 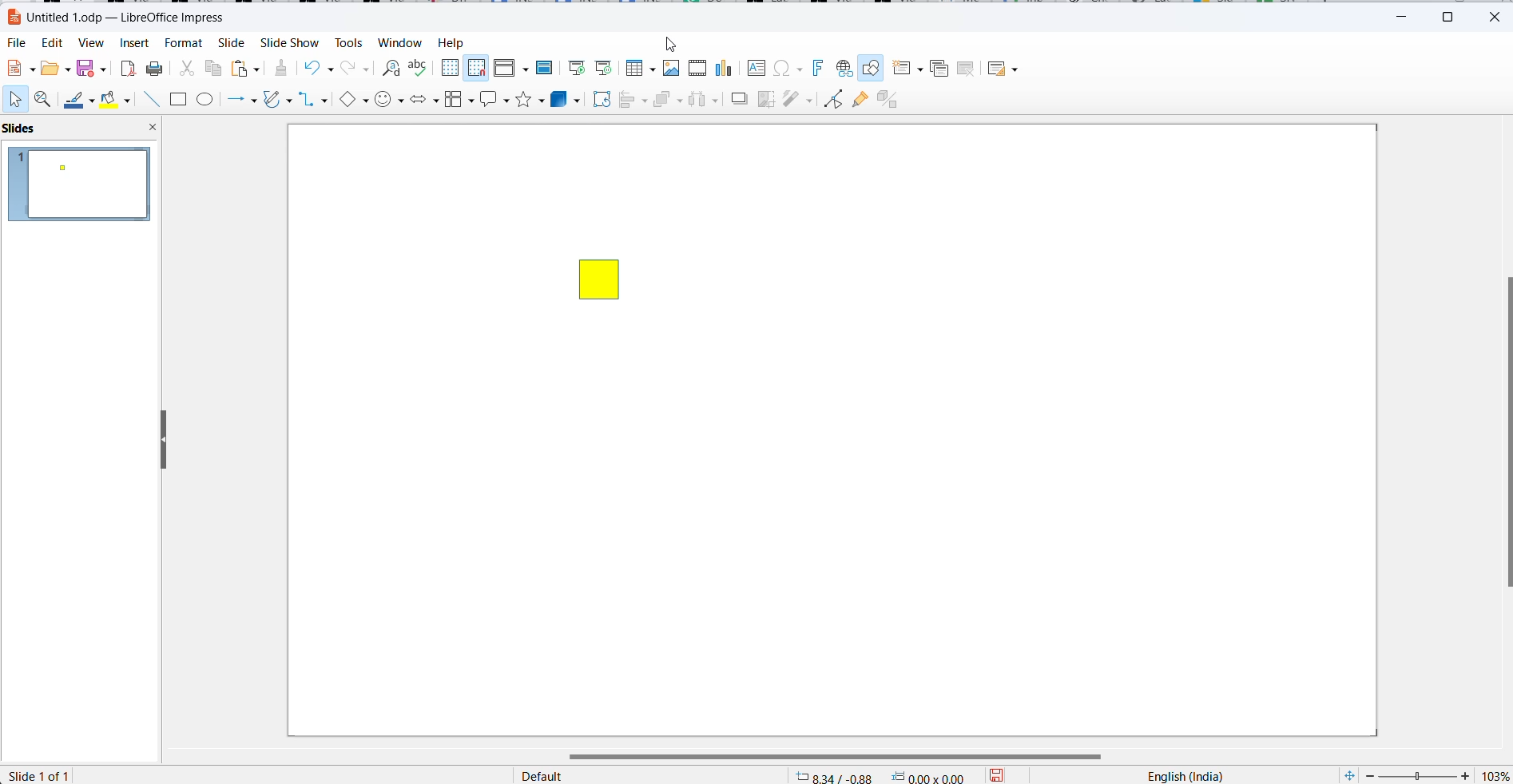 What do you see at coordinates (390, 101) in the screenshot?
I see `symbol` at bounding box center [390, 101].